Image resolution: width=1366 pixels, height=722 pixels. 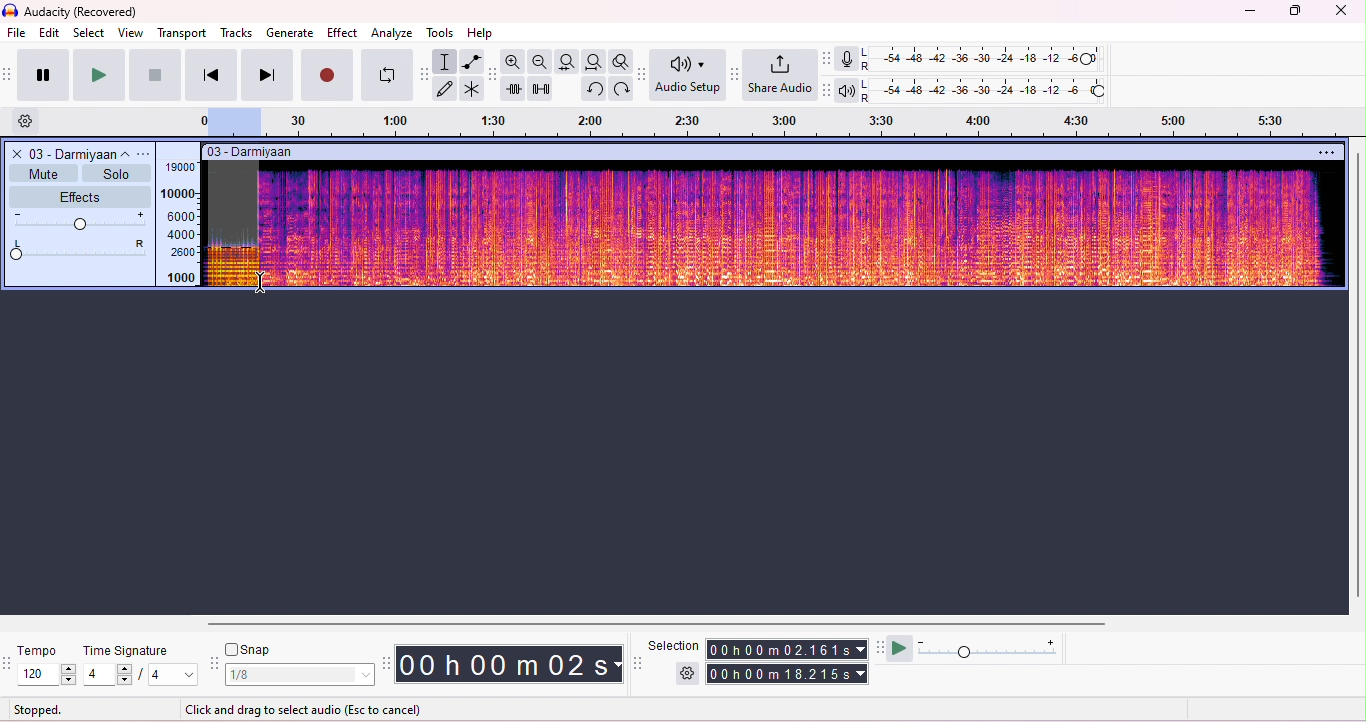 I want to click on maximize, so click(x=1294, y=13).